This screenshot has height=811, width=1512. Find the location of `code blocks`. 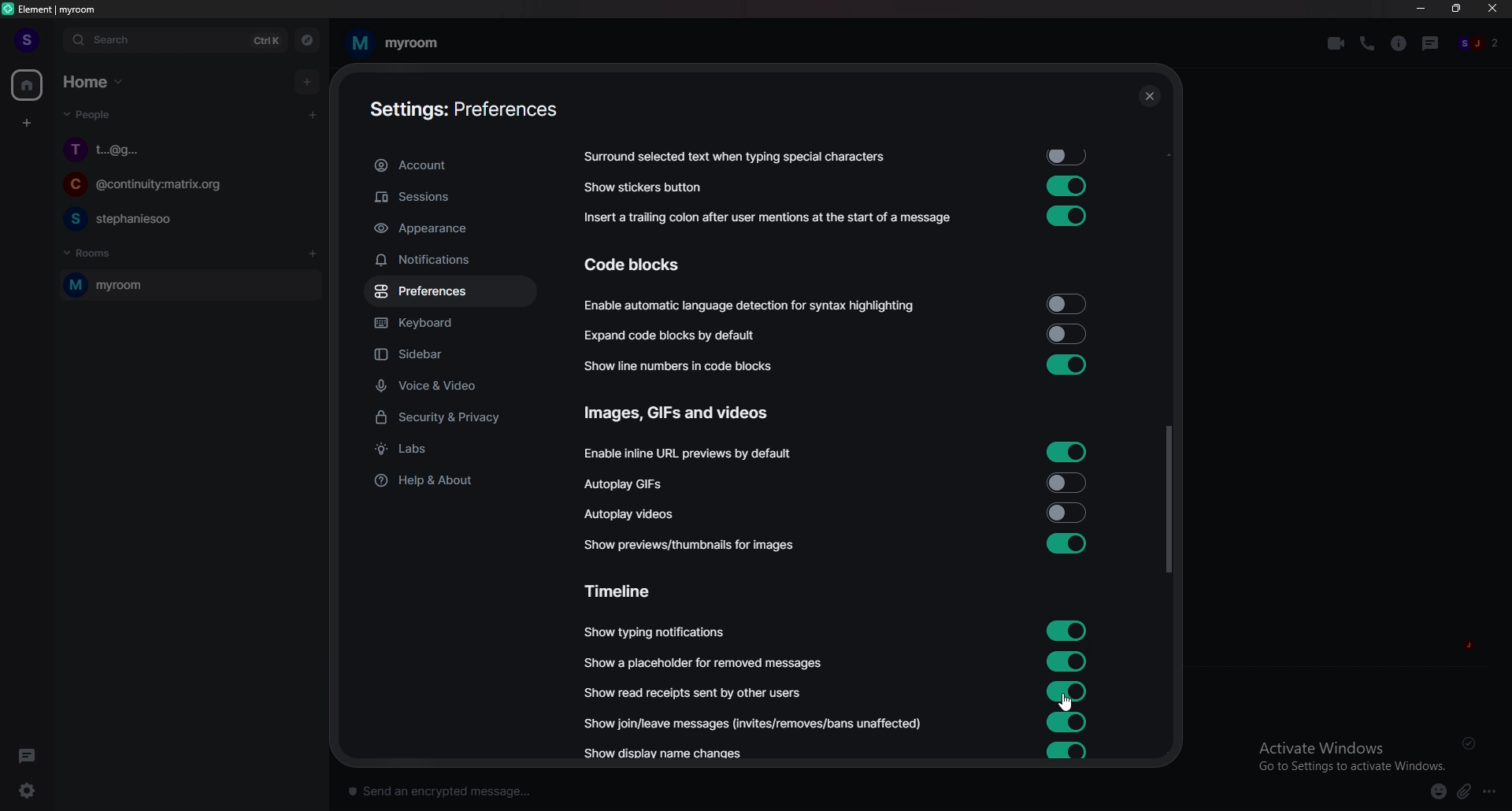

code blocks is located at coordinates (647, 265).